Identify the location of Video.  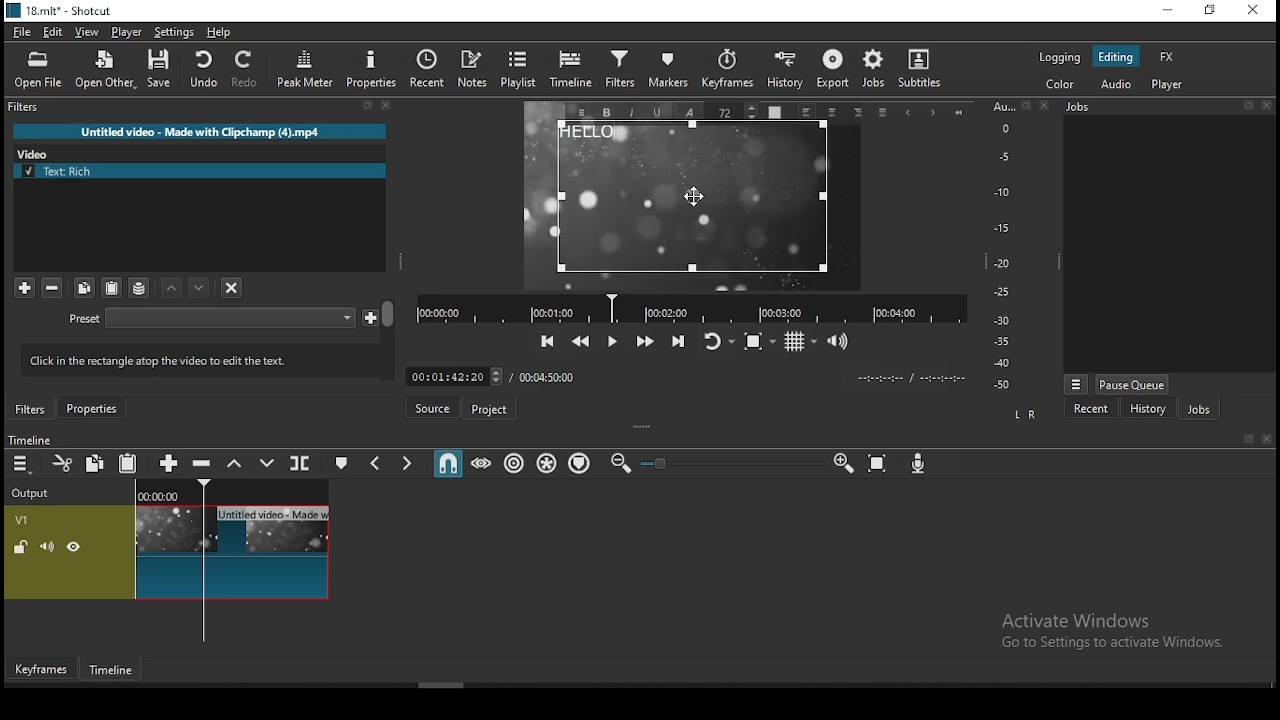
(38, 152).